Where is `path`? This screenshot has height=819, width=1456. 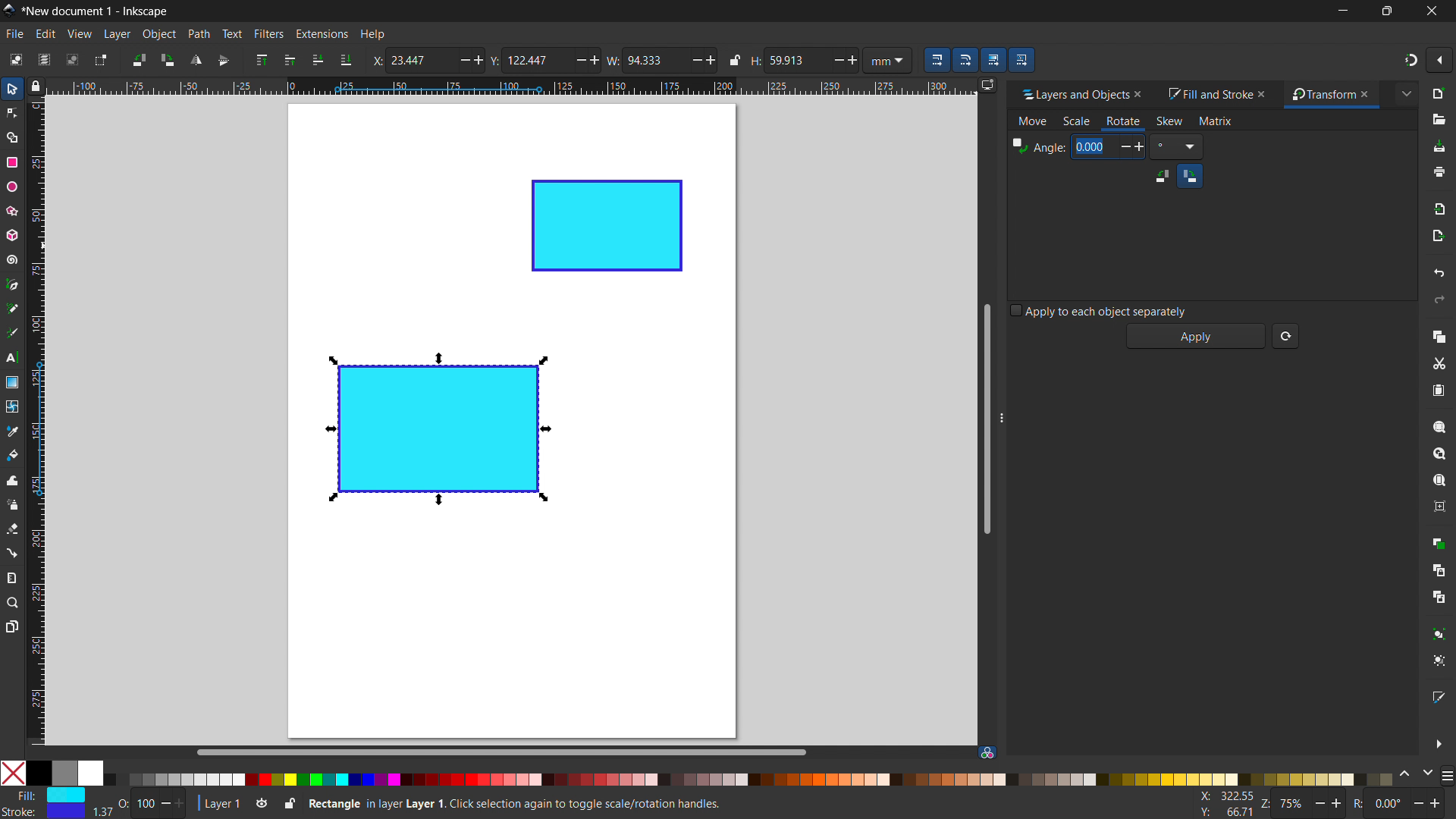 path is located at coordinates (199, 34).